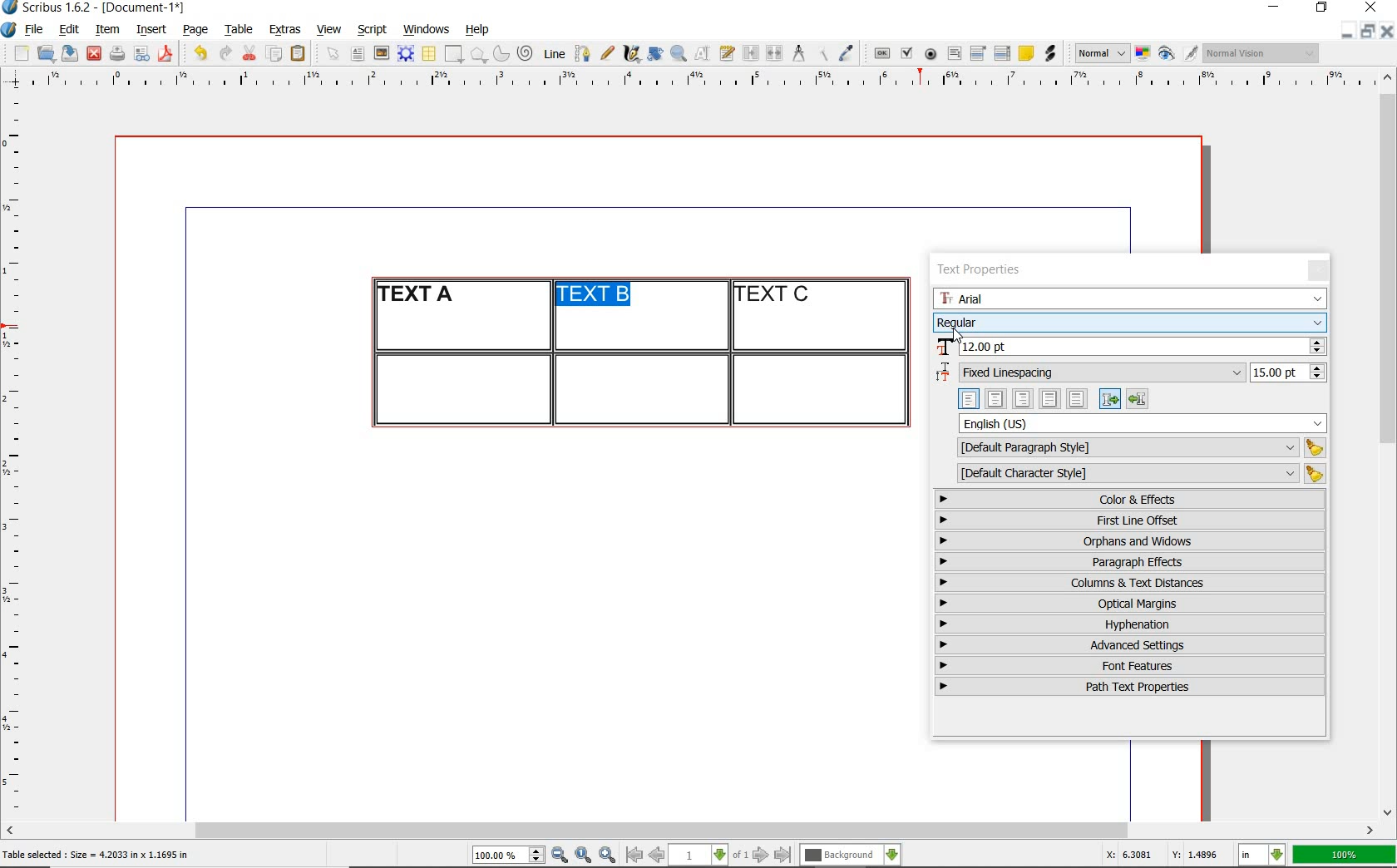  What do you see at coordinates (430, 54) in the screenshot?
I see `table` at bounding box center [430, 54].